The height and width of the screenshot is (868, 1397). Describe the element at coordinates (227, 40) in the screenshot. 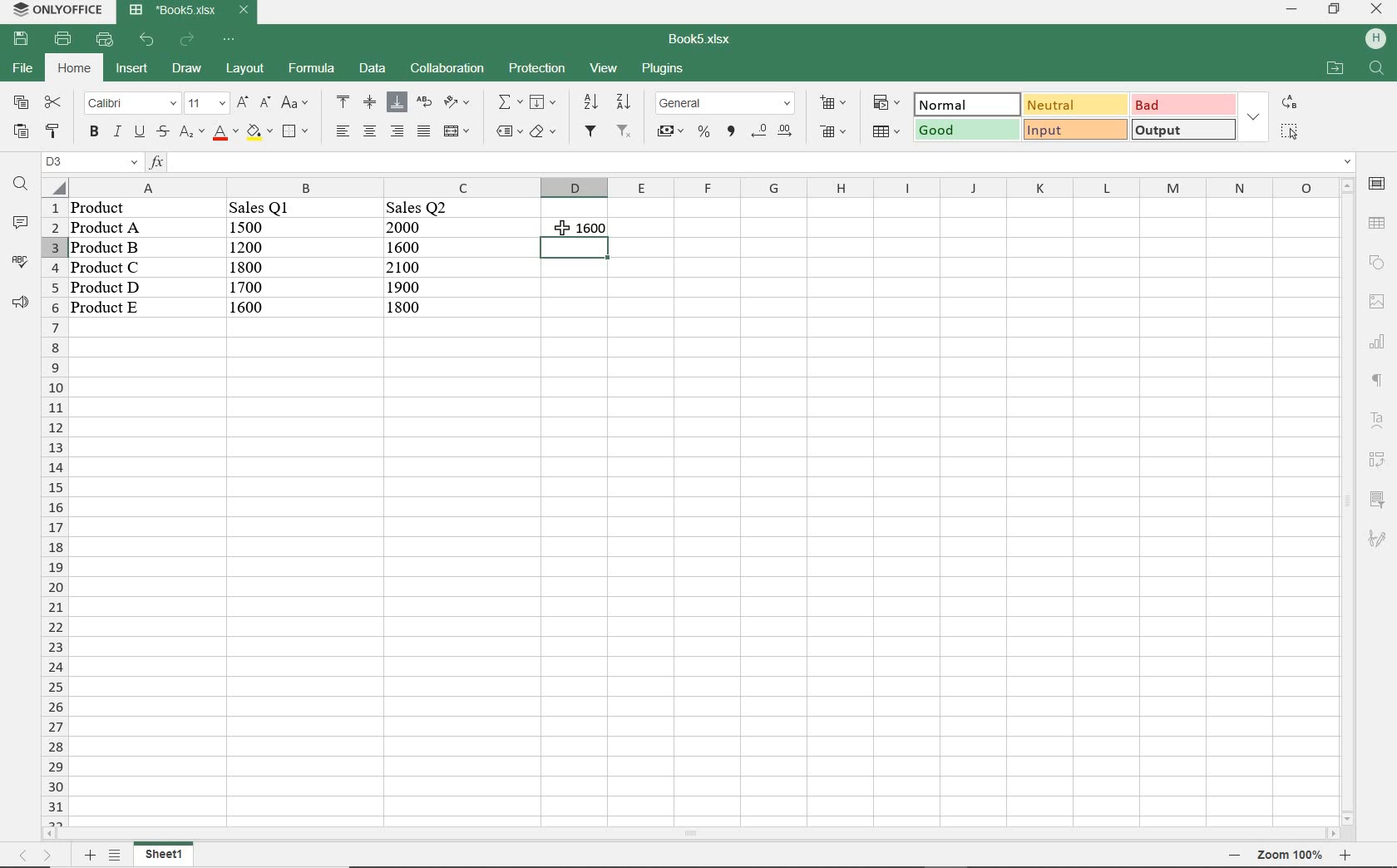

I see `customize quick access toolbar` at that location.